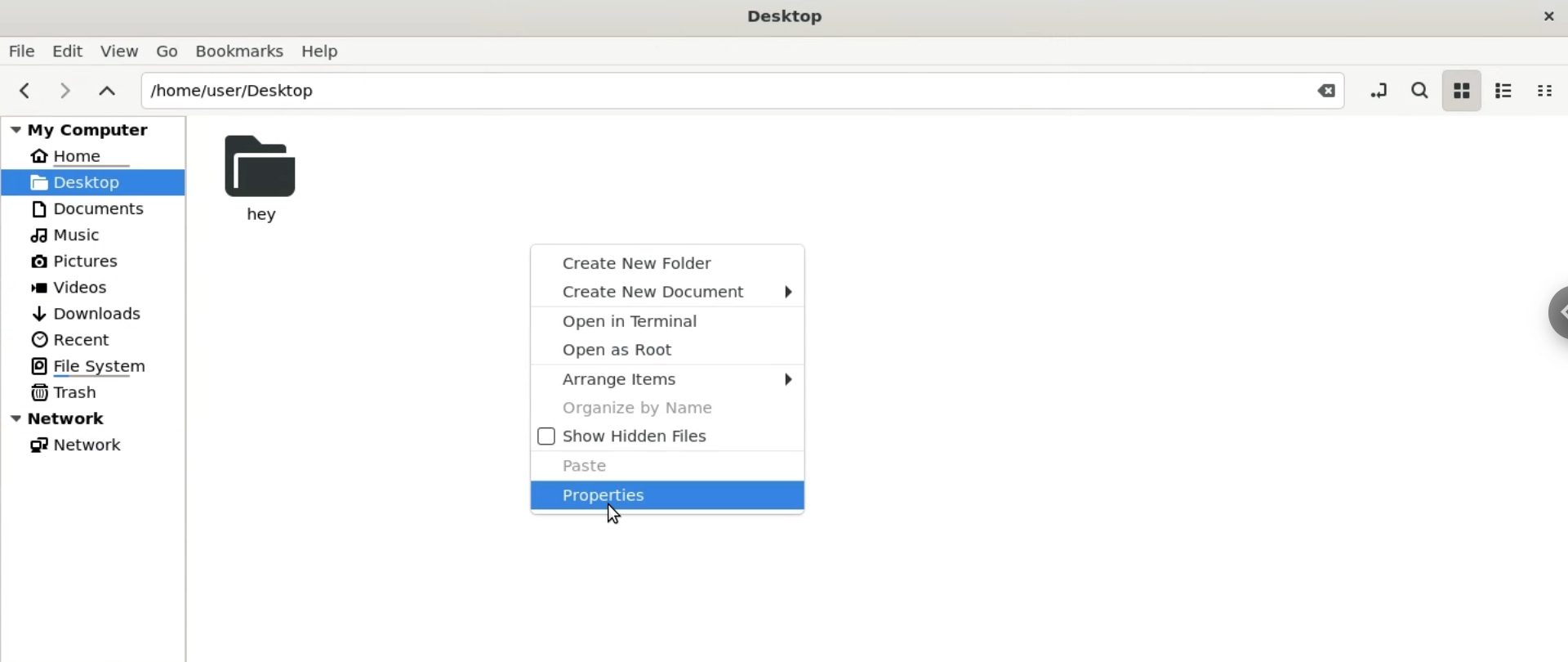 This screenshot has width=1568, height=662. I want to click on desktop, so click(789, 17).